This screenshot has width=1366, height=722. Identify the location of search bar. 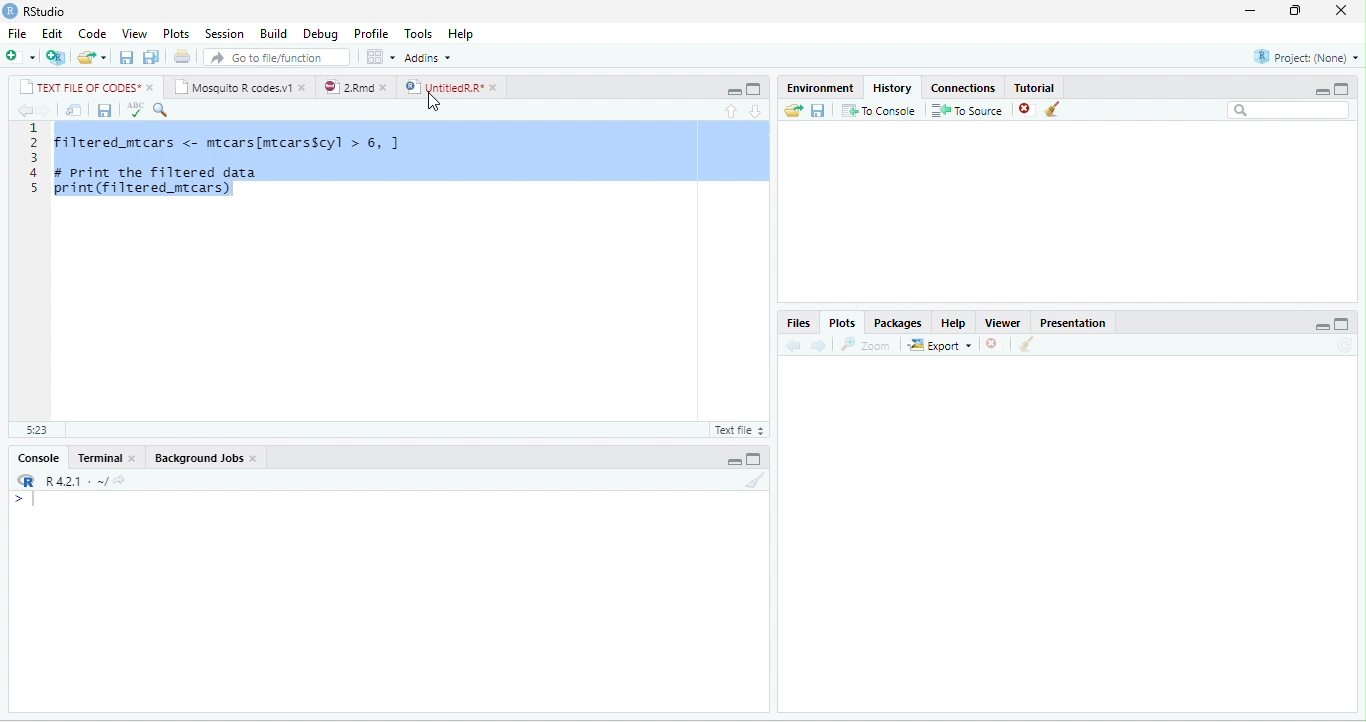
(1288, 110).